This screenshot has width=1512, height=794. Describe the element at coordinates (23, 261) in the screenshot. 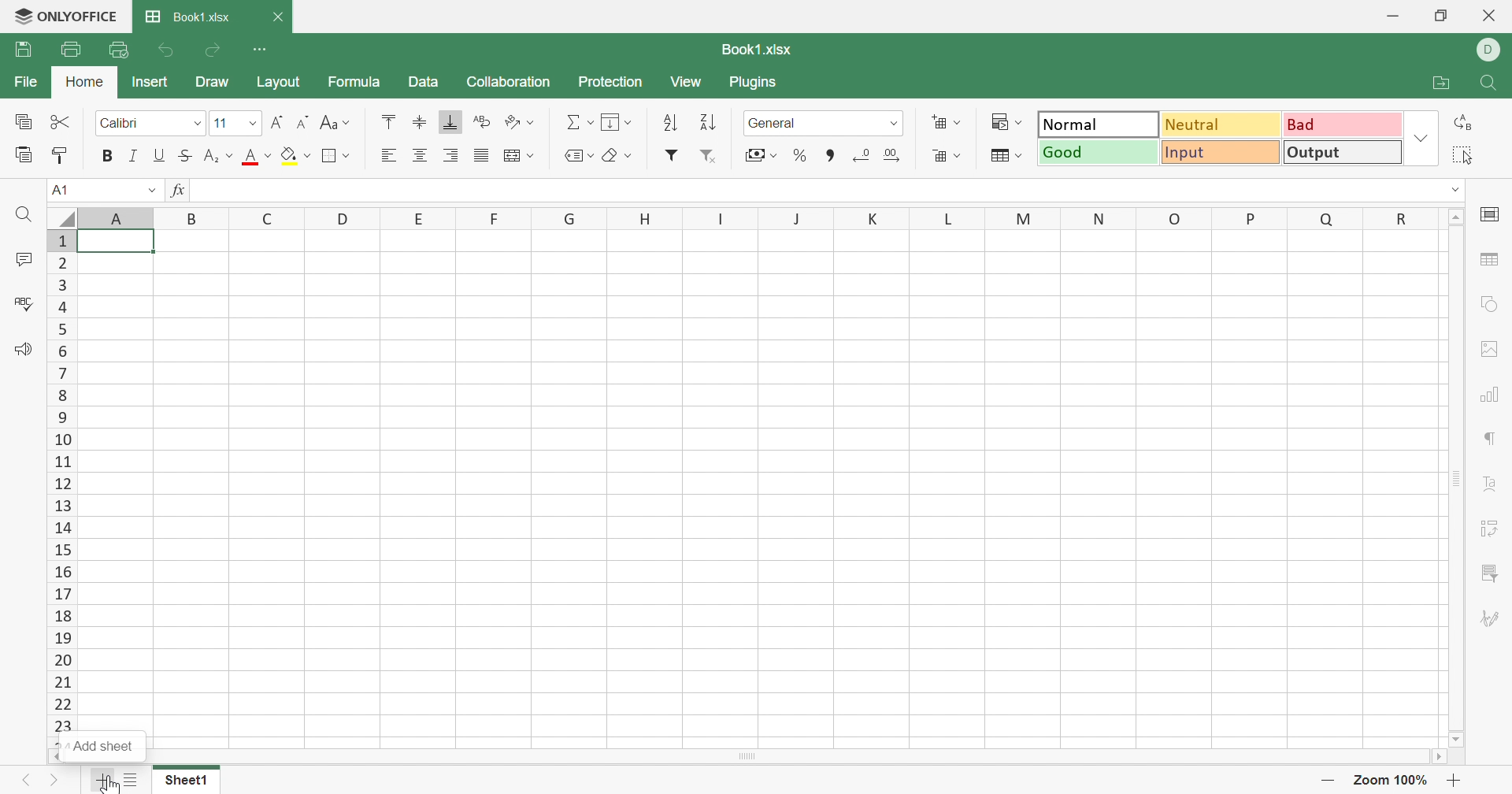

I see `Comments` at that location.